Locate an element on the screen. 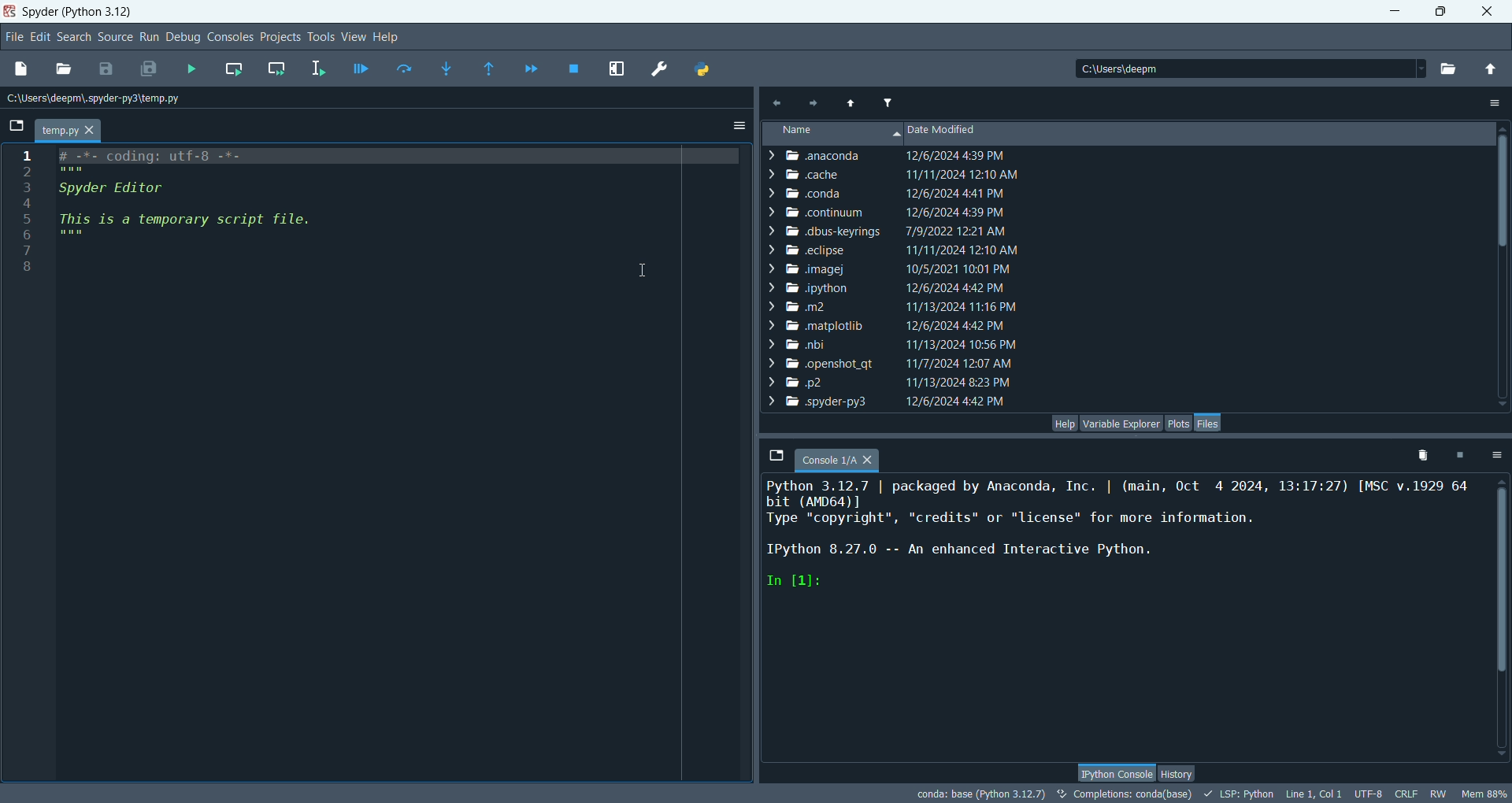 This screenshot has height=803, width=1512. open file is located at coordinates (62, 68).